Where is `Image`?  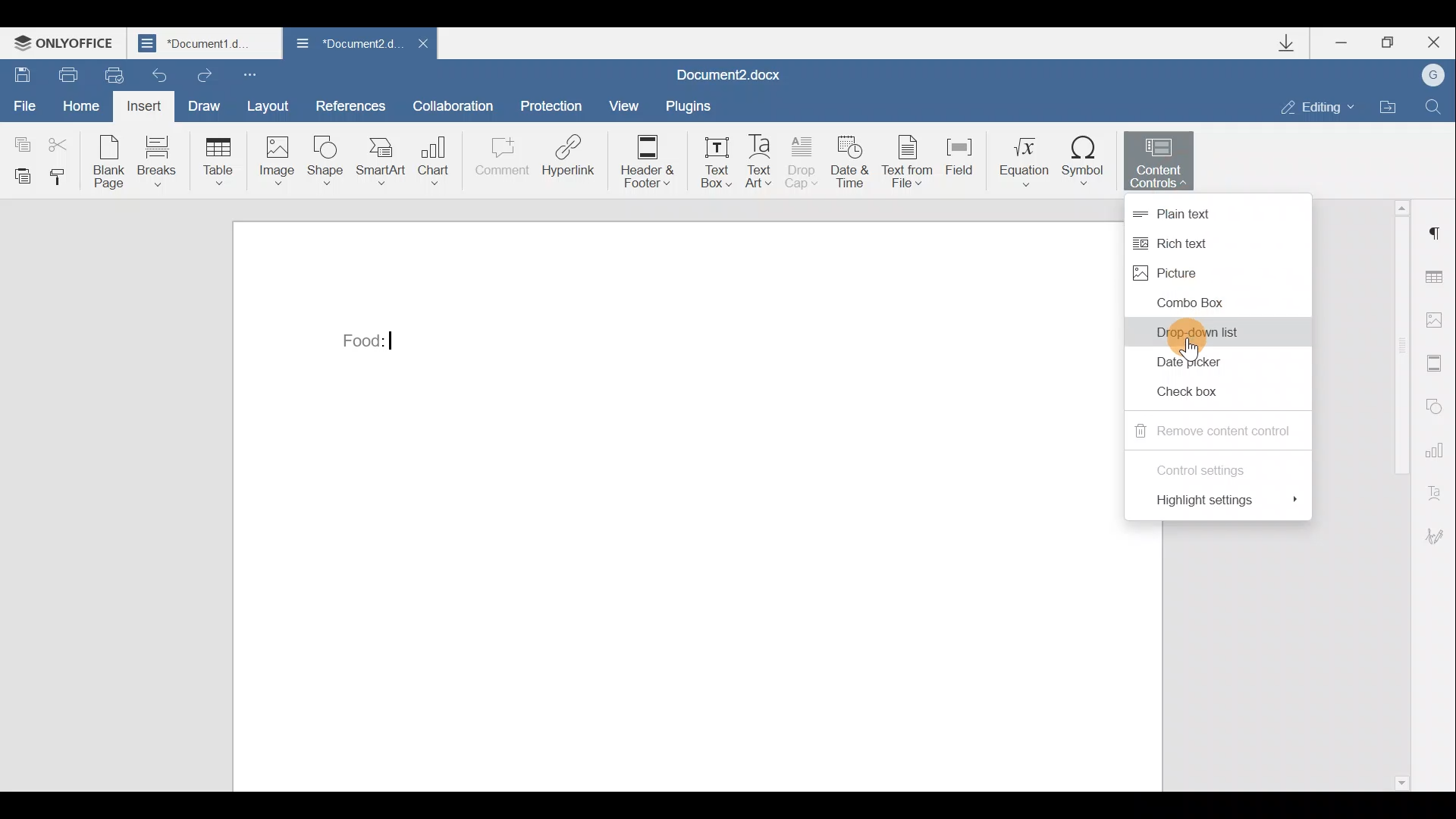
Image is located at coordinates (276, 162).